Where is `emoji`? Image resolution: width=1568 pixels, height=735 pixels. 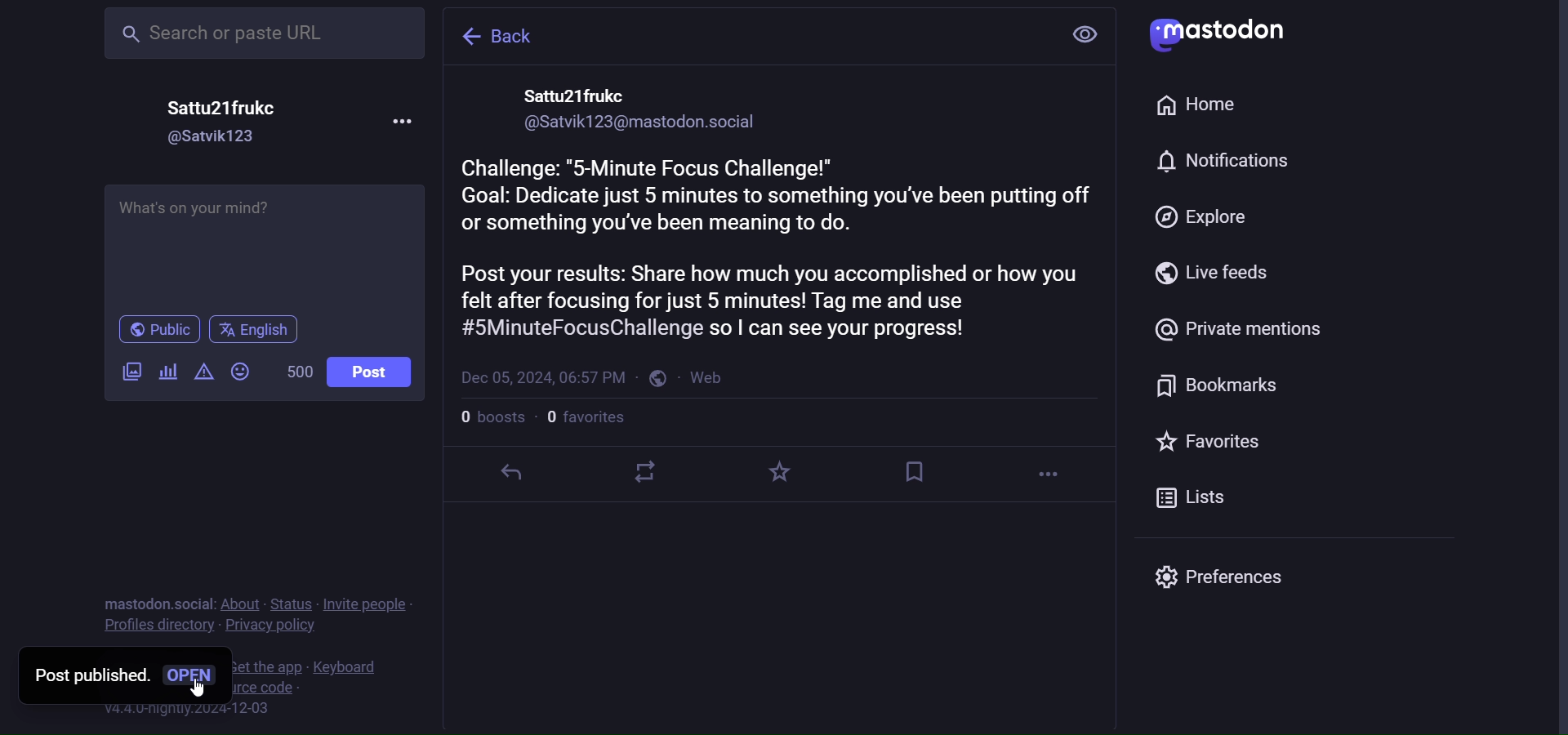
emoji is located at coordinates (241, 372).